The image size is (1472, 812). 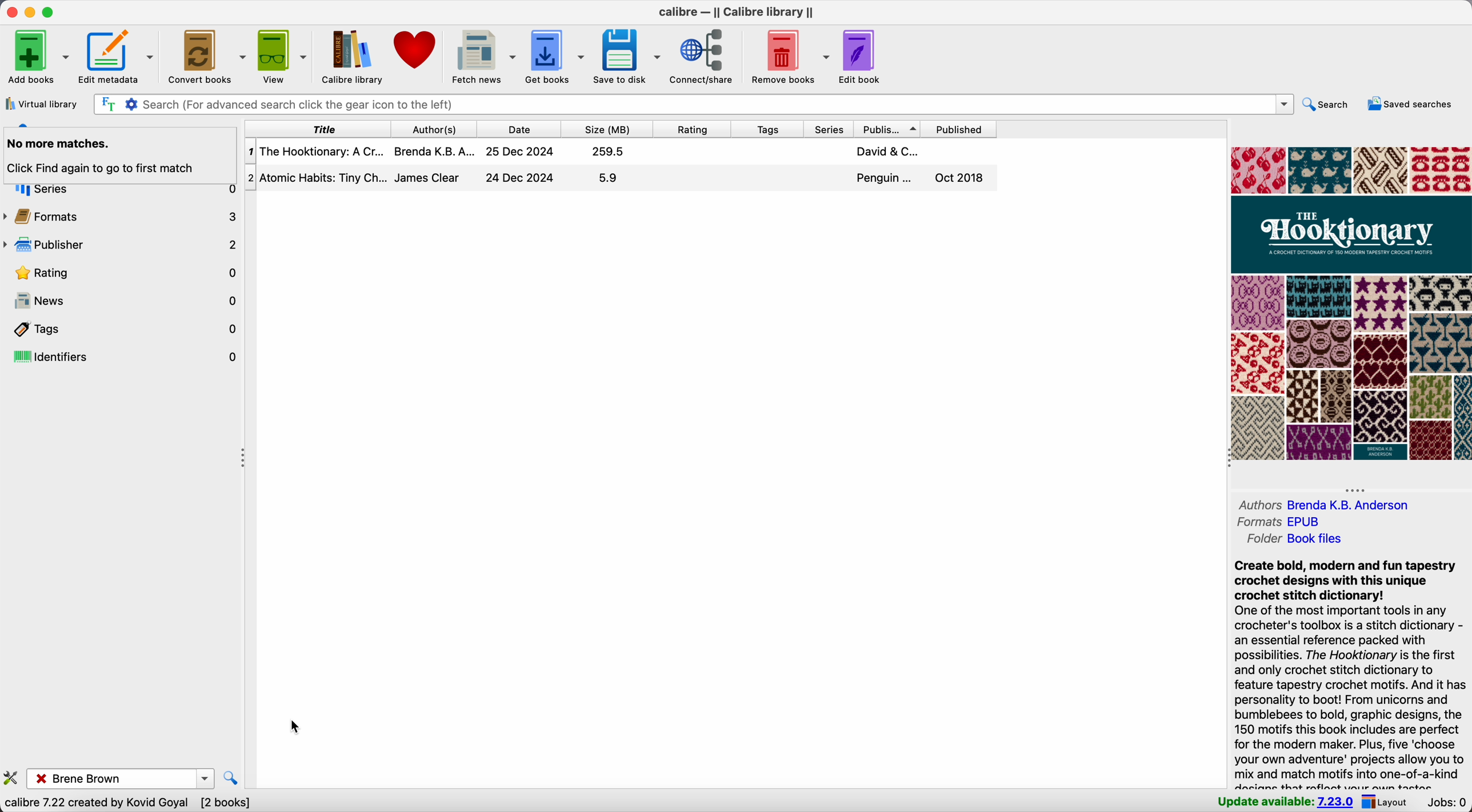 What do you see at coordinates (629, 57) in the screenshot?
I see `save to disk` at bounding box center [629, 57].